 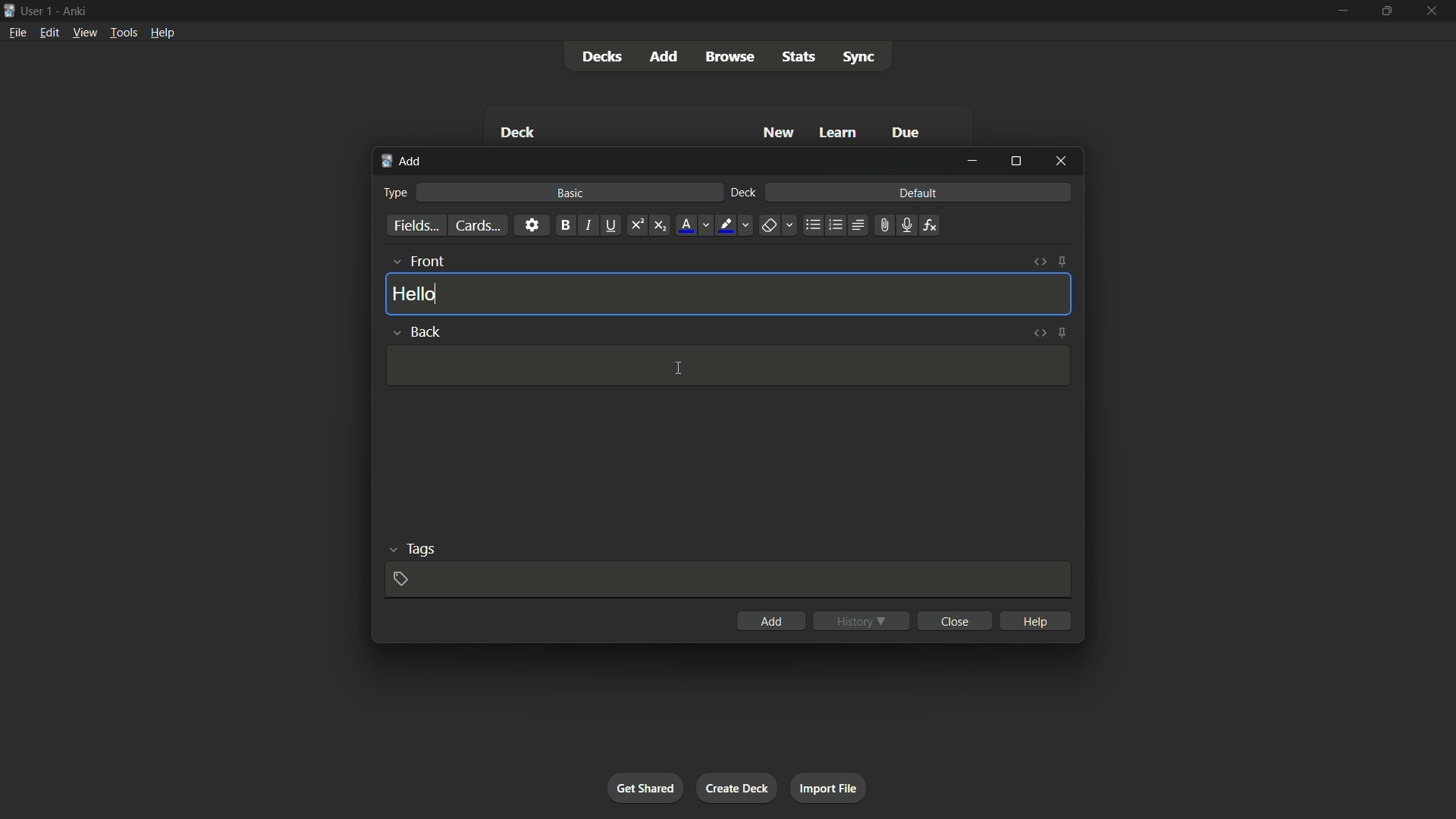 What do you see at coordinates (1063, 262) in the screenshot?
I see `toggle sticky` at bounding box center [1063, 262].